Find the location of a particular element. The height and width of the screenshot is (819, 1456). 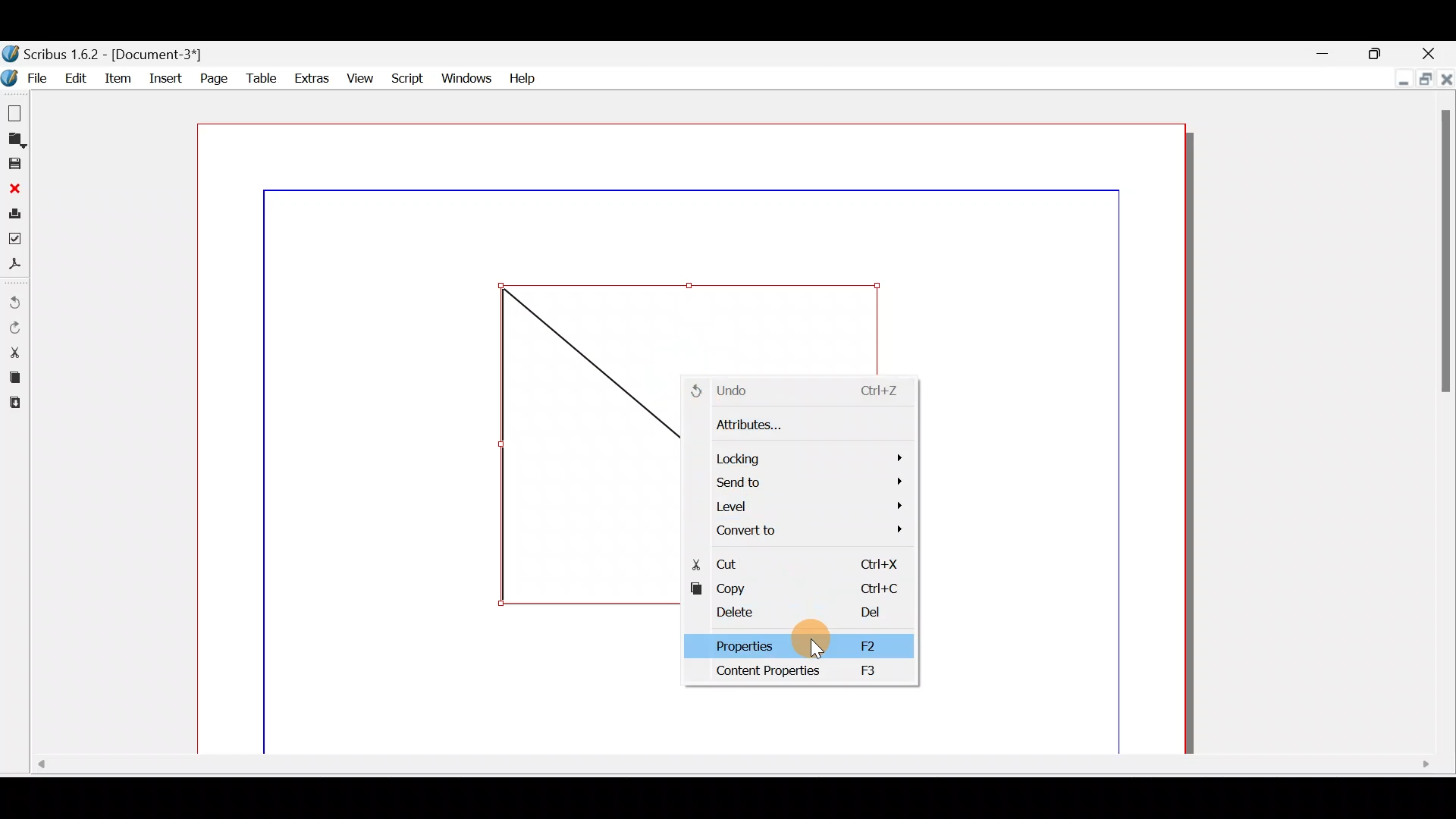

Content properties is located at coordinates (792, 673).